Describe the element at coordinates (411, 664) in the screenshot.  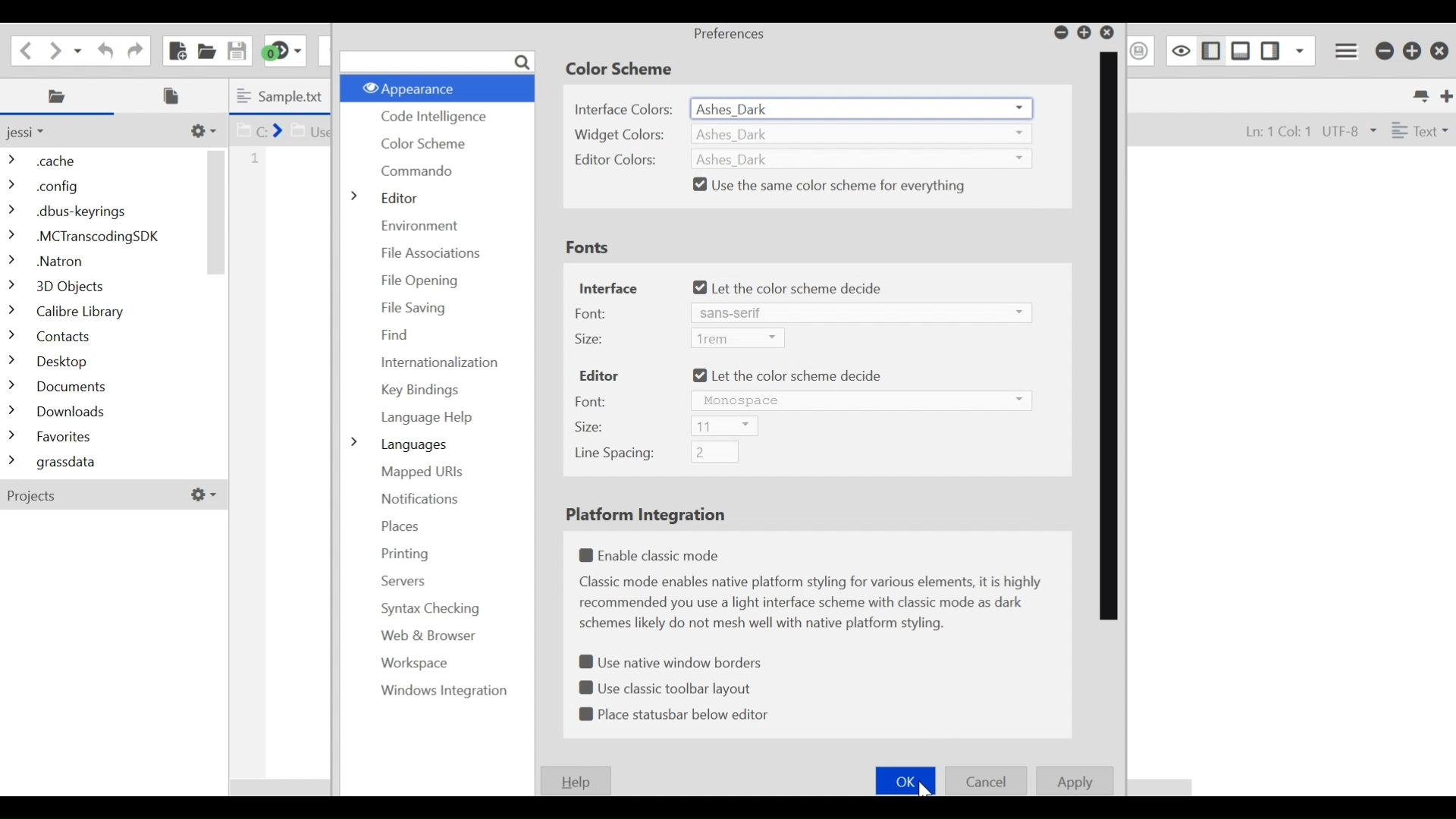
I see `Workplace` at that location.